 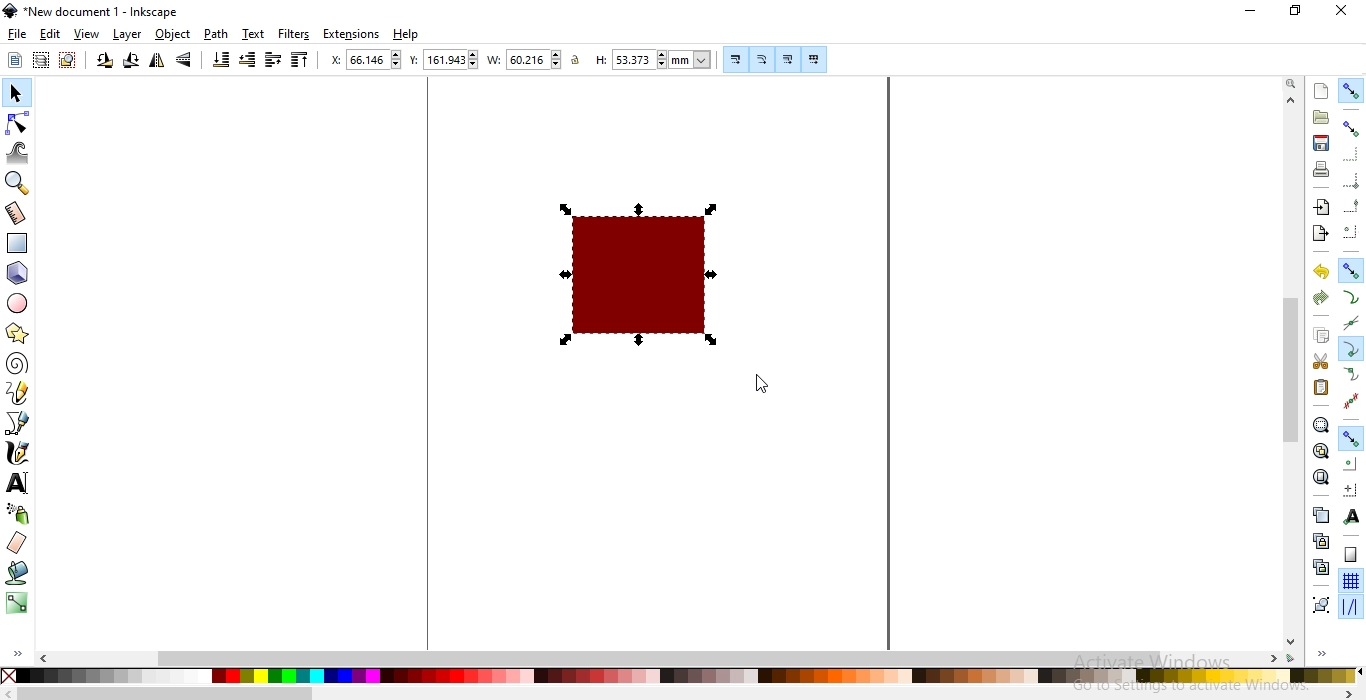 I want to click on 53.373, so click(x=636, y=60).